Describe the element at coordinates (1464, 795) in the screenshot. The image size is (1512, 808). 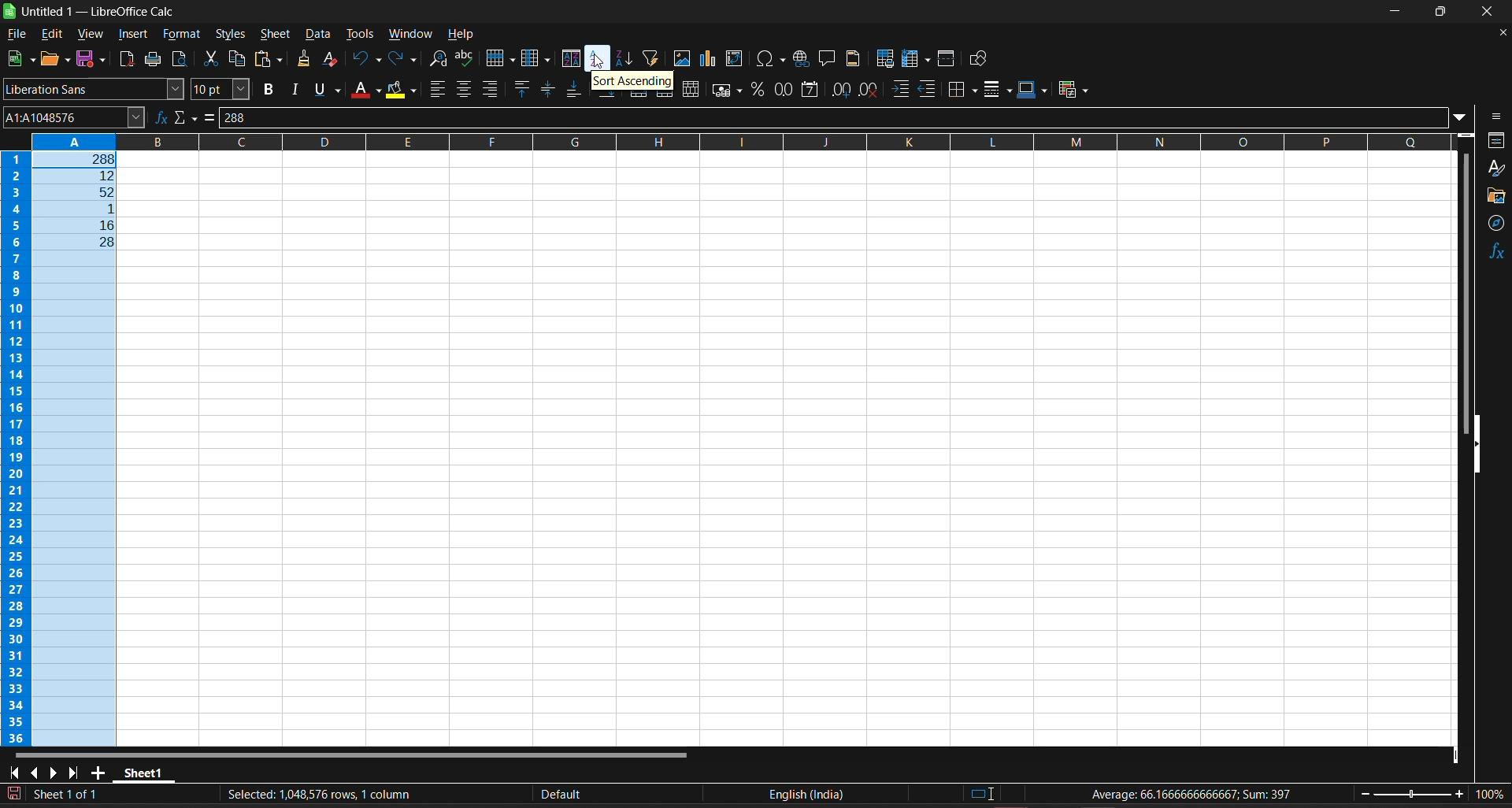
I see `zoom in` at that location.